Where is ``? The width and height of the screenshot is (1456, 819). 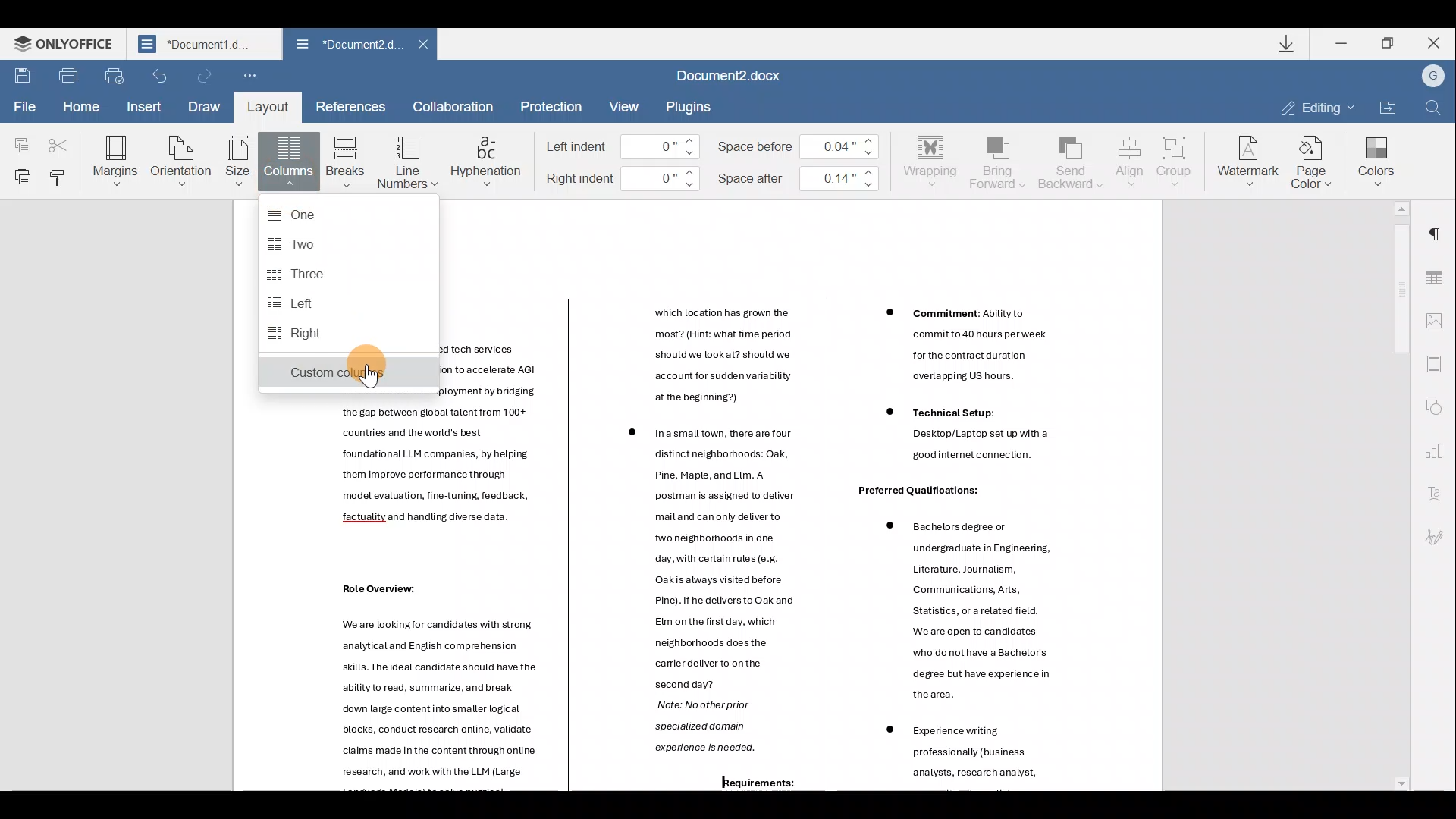
 is located at coordinates (707, 566).